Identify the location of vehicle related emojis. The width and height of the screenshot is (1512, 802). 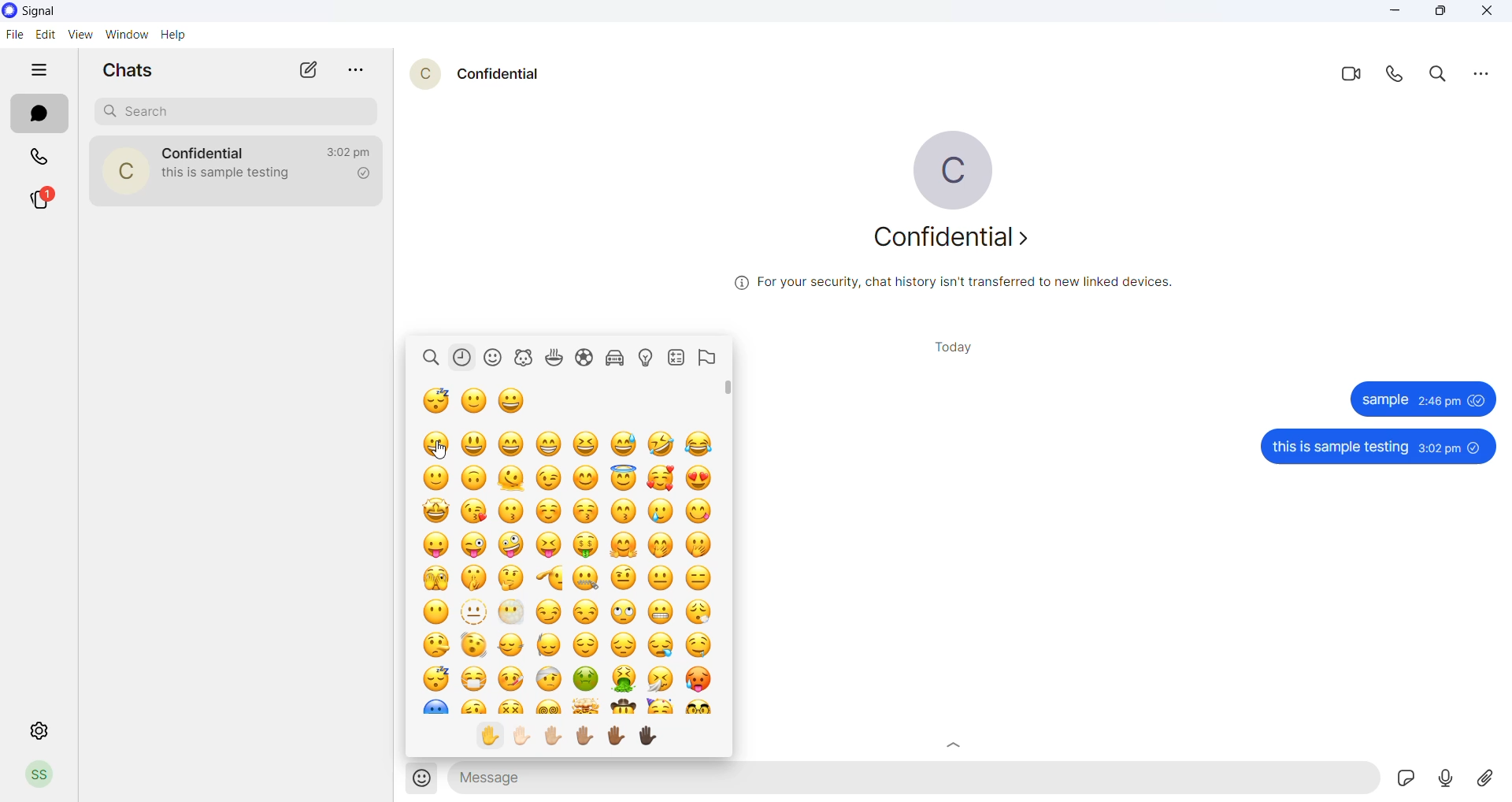
(618, 358).